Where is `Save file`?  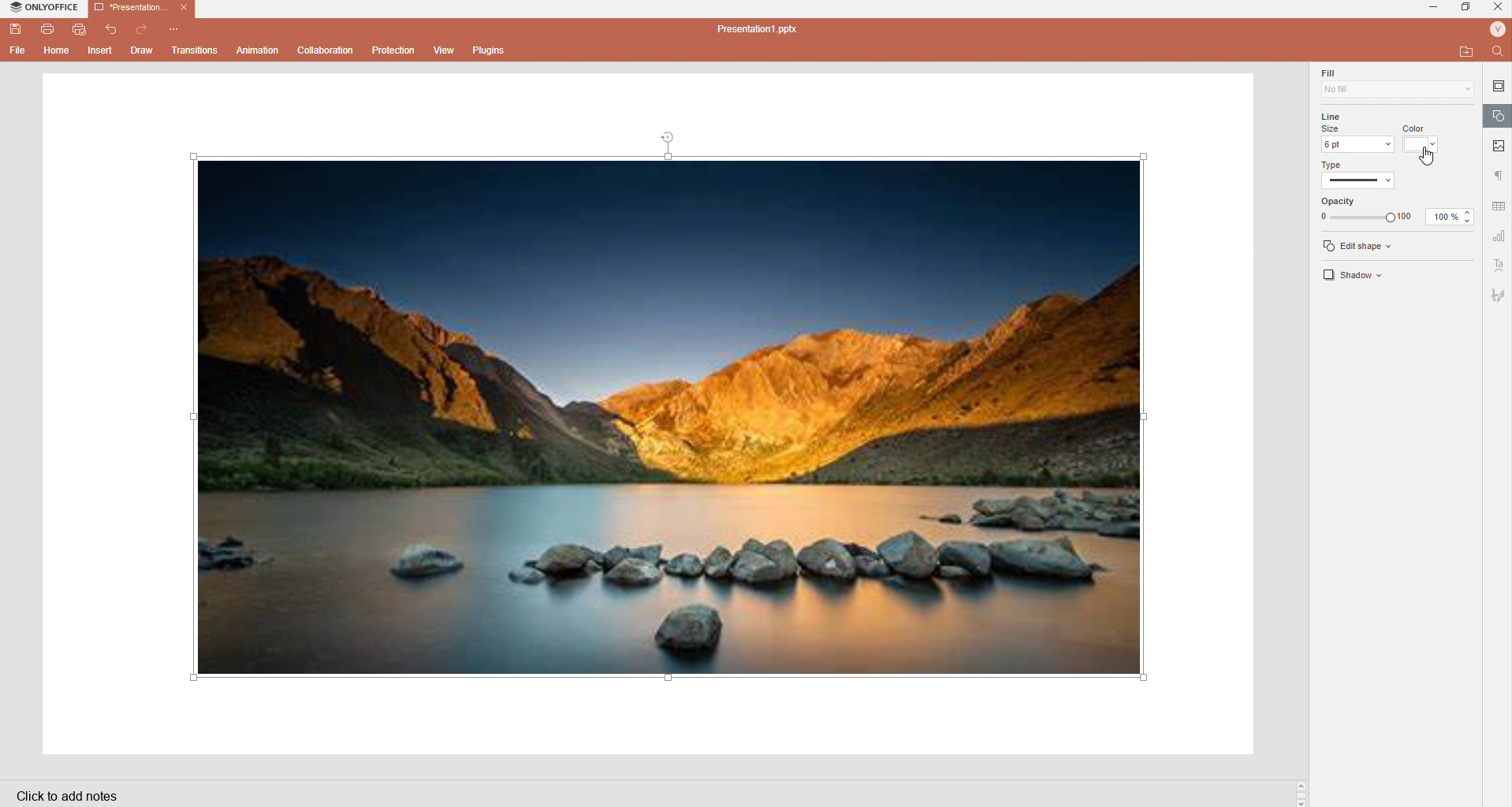 Save file is located at coordinates (15, 31).